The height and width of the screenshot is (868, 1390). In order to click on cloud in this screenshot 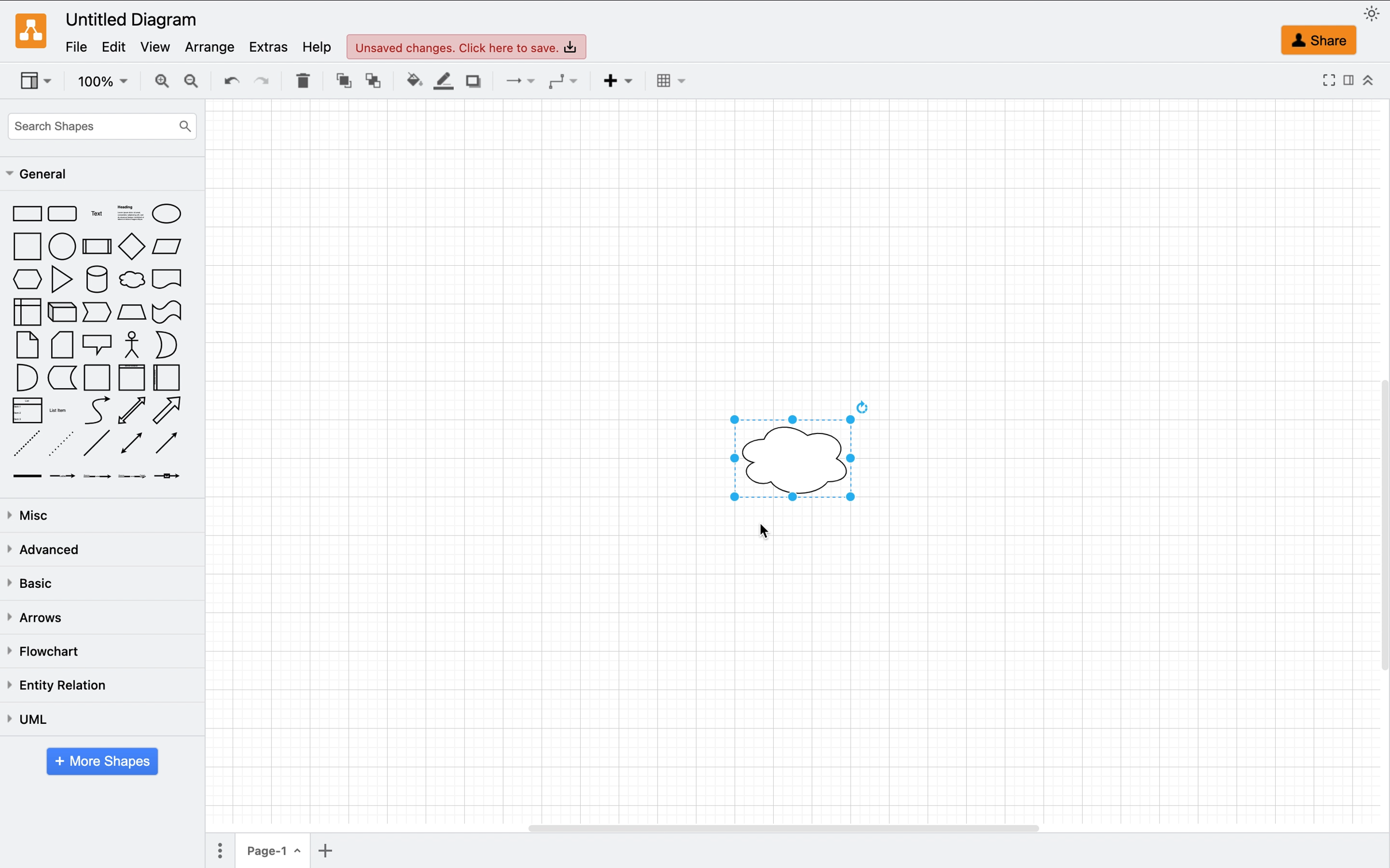, I will do `click(131, 280)`.